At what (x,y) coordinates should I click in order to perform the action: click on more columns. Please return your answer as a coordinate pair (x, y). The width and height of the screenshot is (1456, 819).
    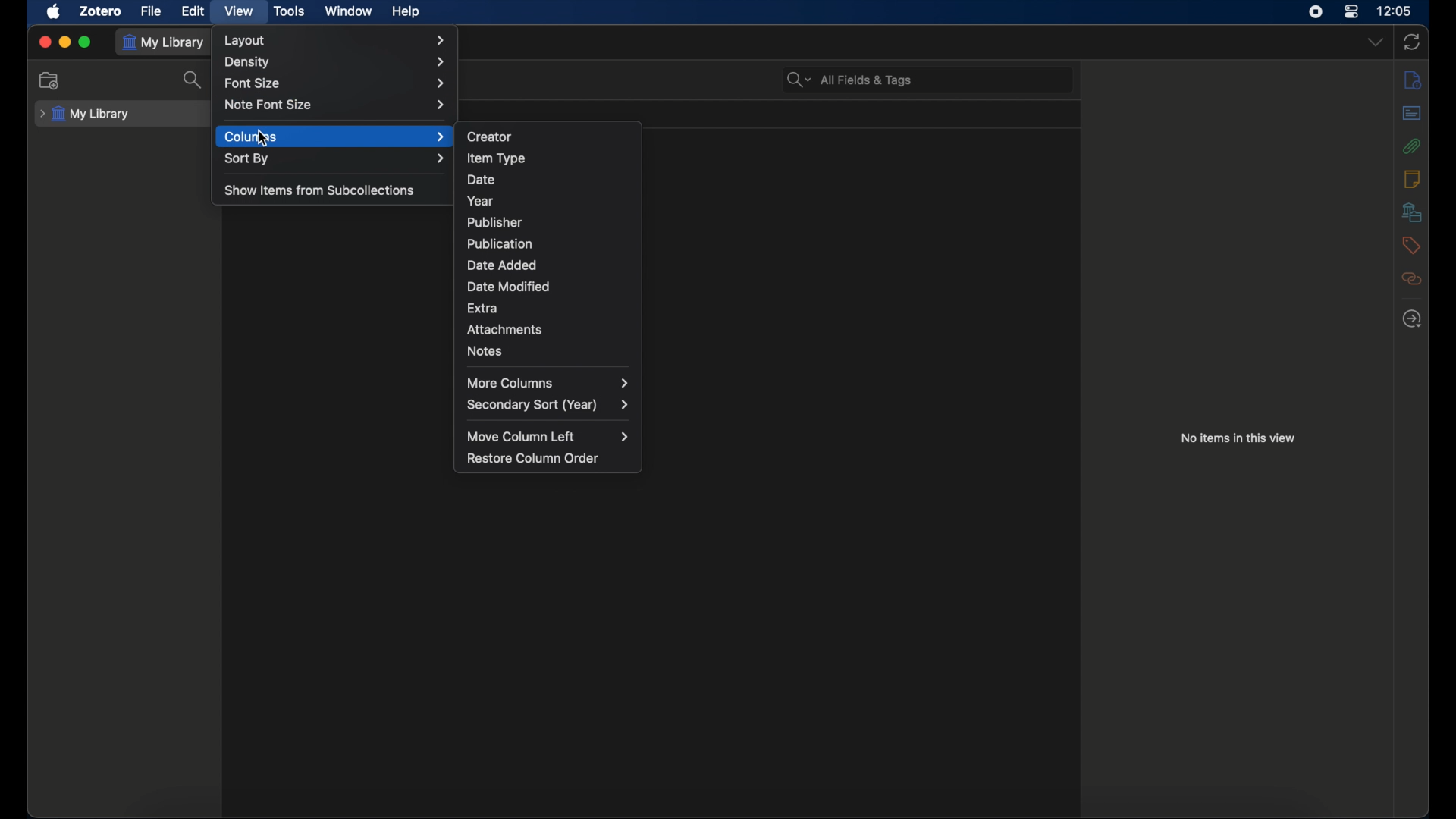
    Looking at the image, I should click on (547, 383).